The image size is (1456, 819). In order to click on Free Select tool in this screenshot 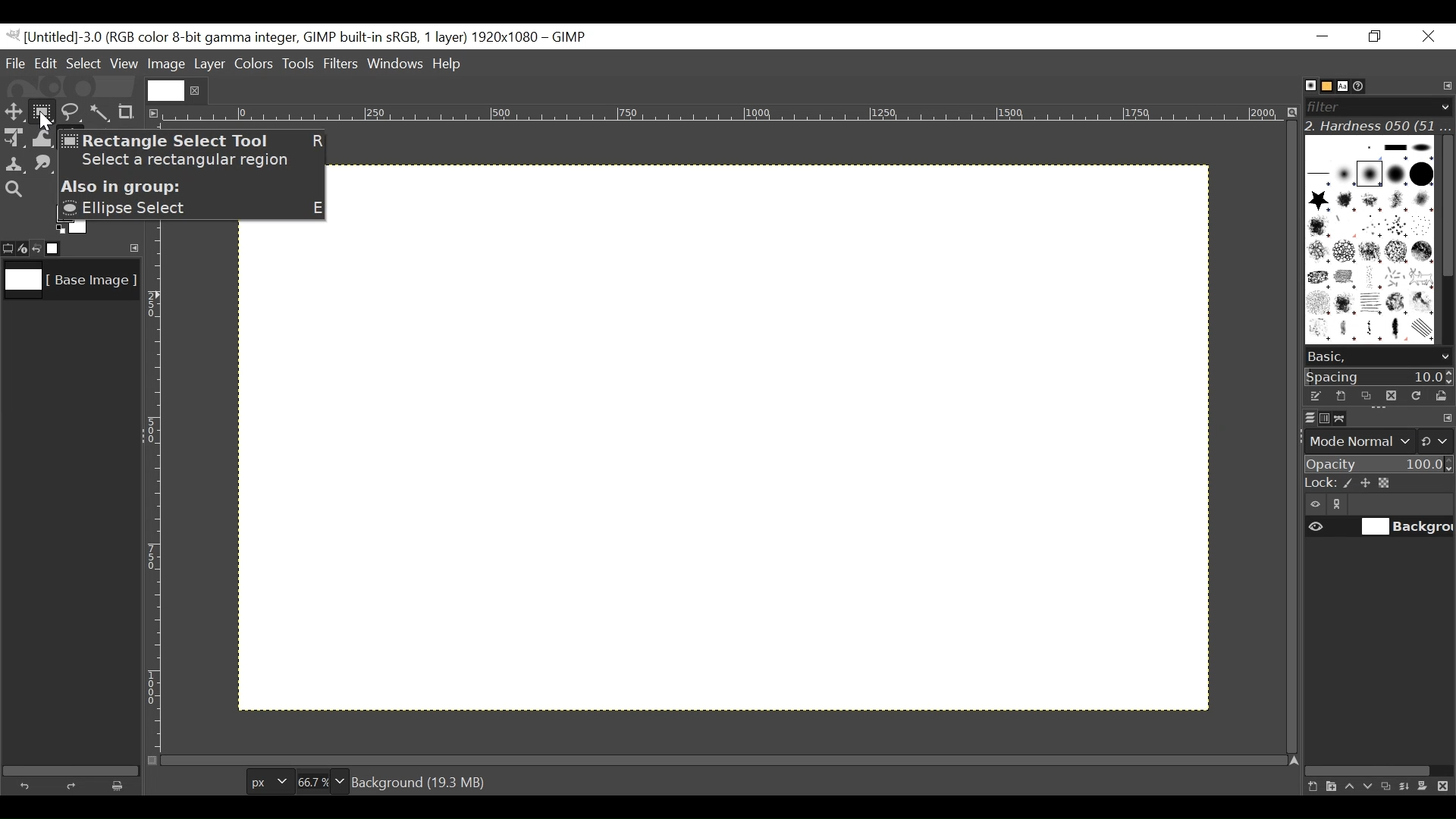, I will do `click(70, 109)`.